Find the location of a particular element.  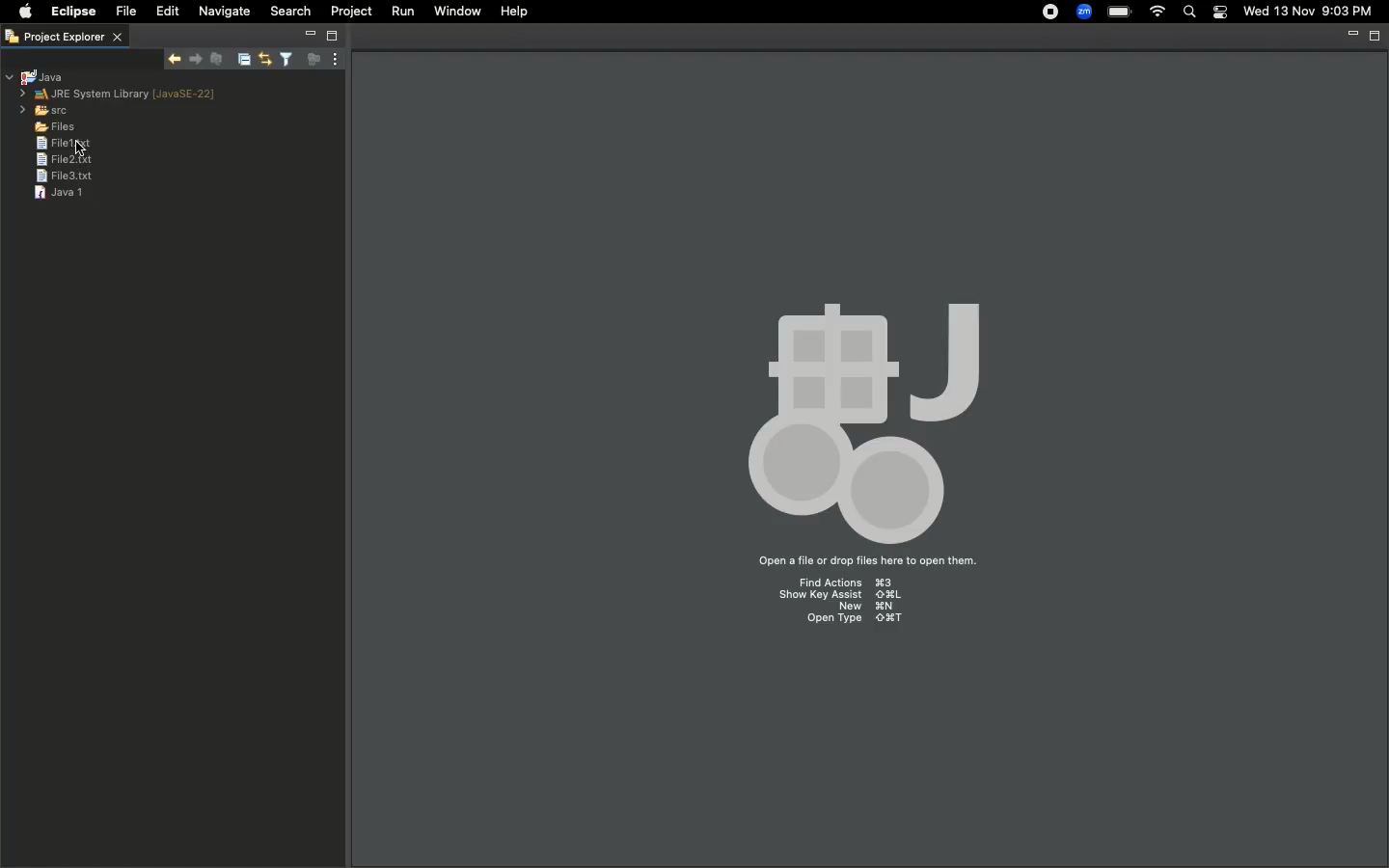

Help is located at coordinates (515, 12).